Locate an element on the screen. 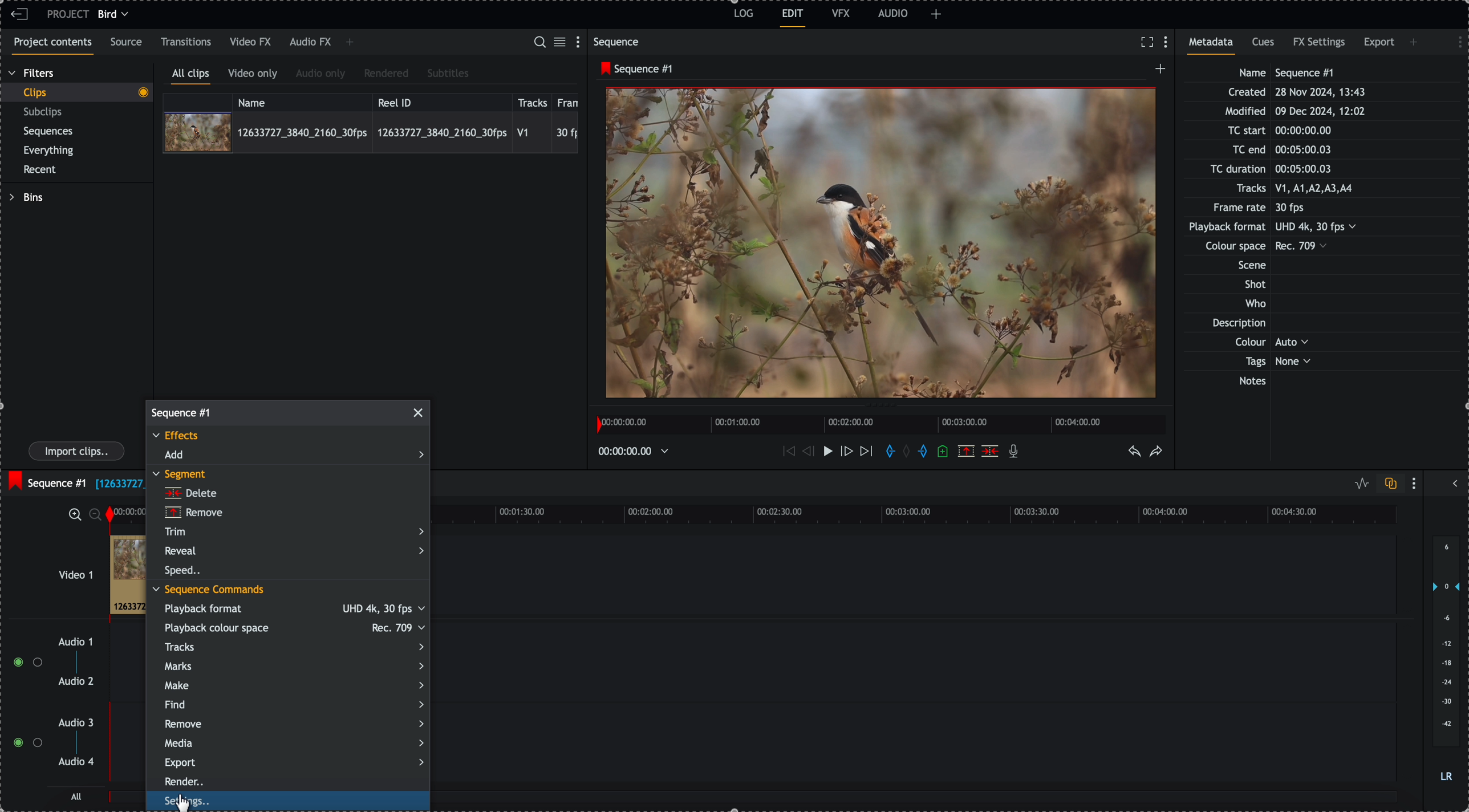 The height and width of the screenshot is (812, 1469). segment is located at coordinates (183, 475).